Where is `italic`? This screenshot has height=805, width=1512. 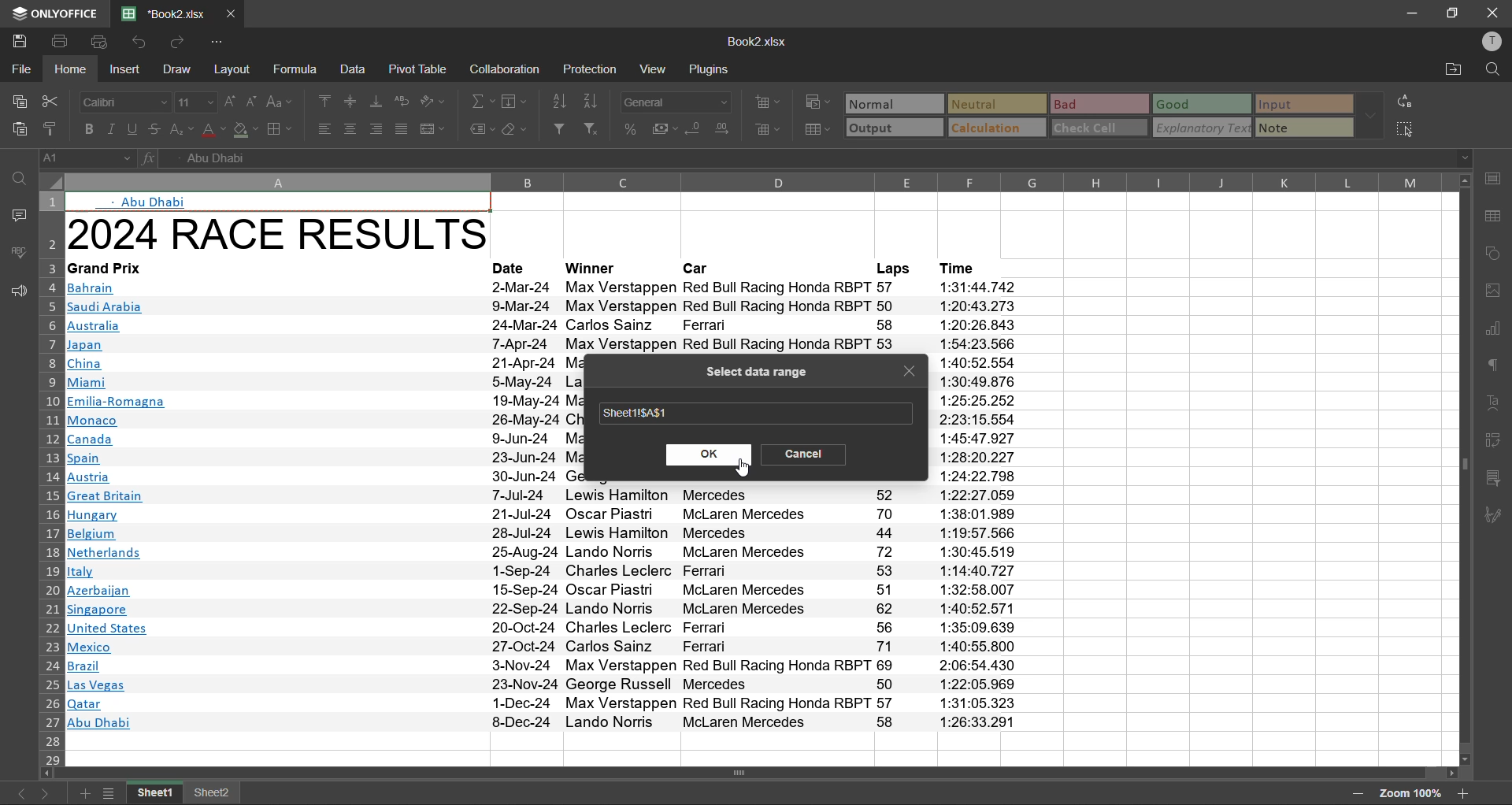 italic is located at coordinates (109, 129).